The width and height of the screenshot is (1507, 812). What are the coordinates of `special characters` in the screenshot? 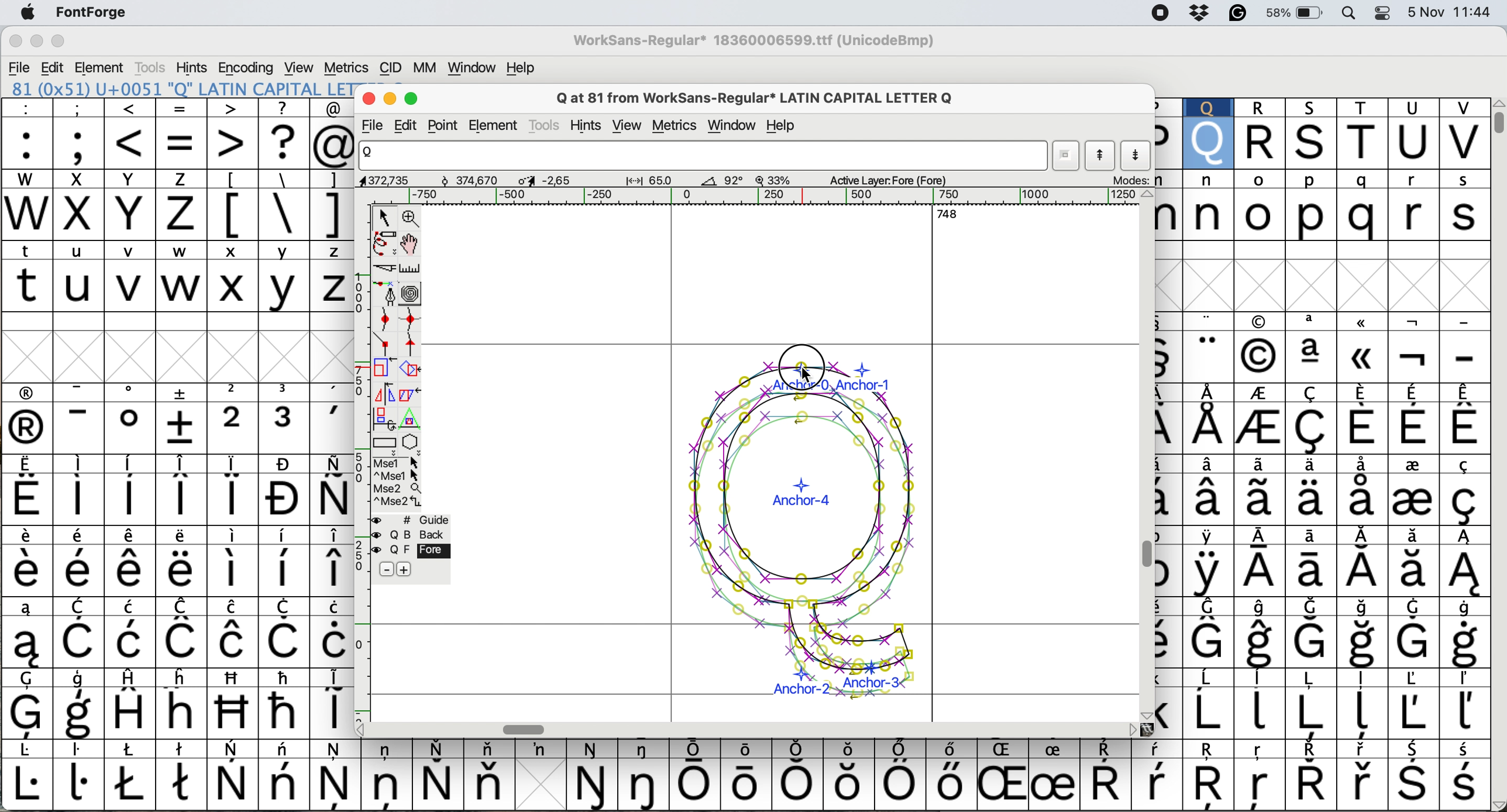 It's located at (283, 214).